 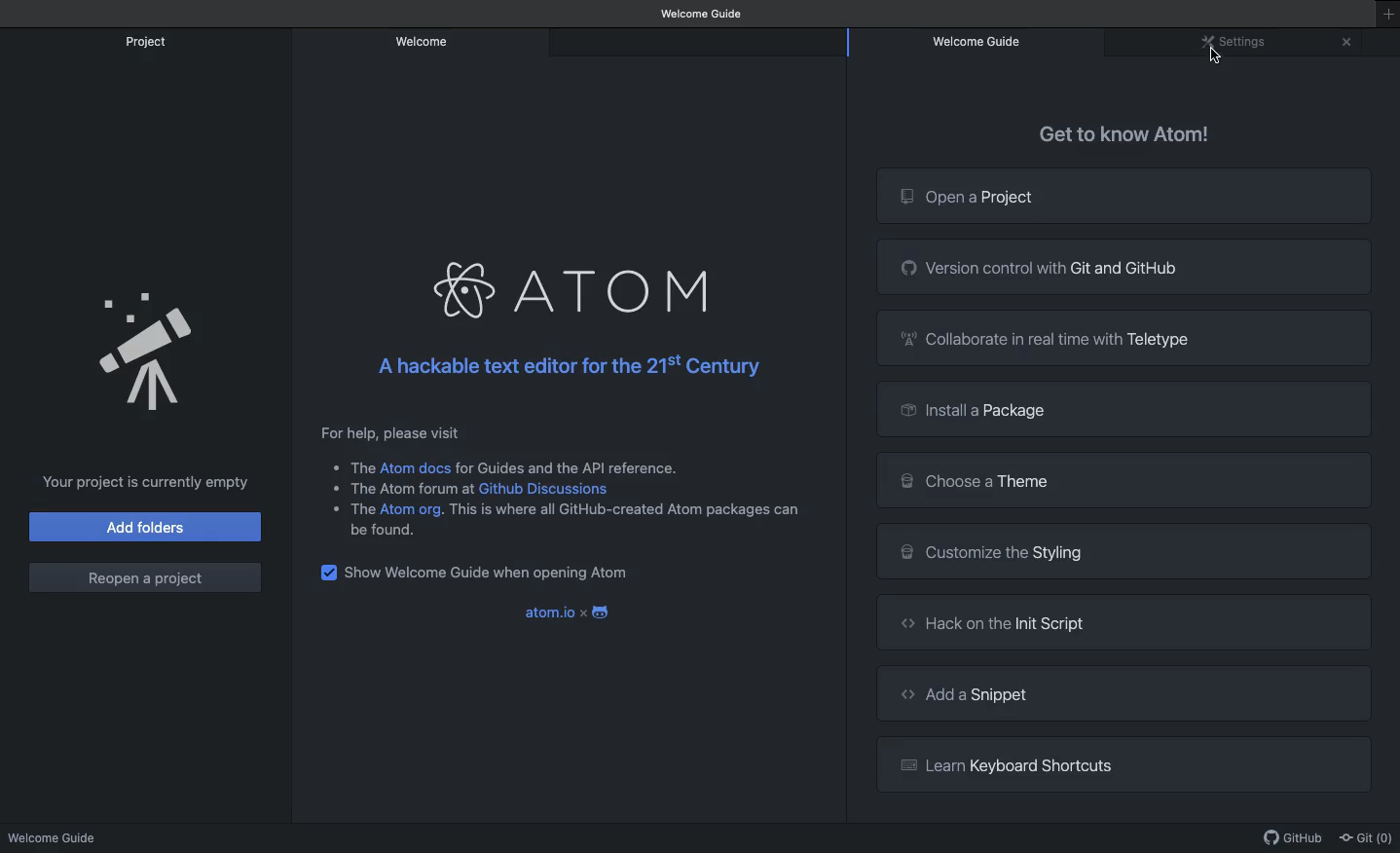 What do you see at coordinates (565, 368) in the screenshot?
I see `A hackable text editor for the 215! Century` at bounding box center [565, 368].